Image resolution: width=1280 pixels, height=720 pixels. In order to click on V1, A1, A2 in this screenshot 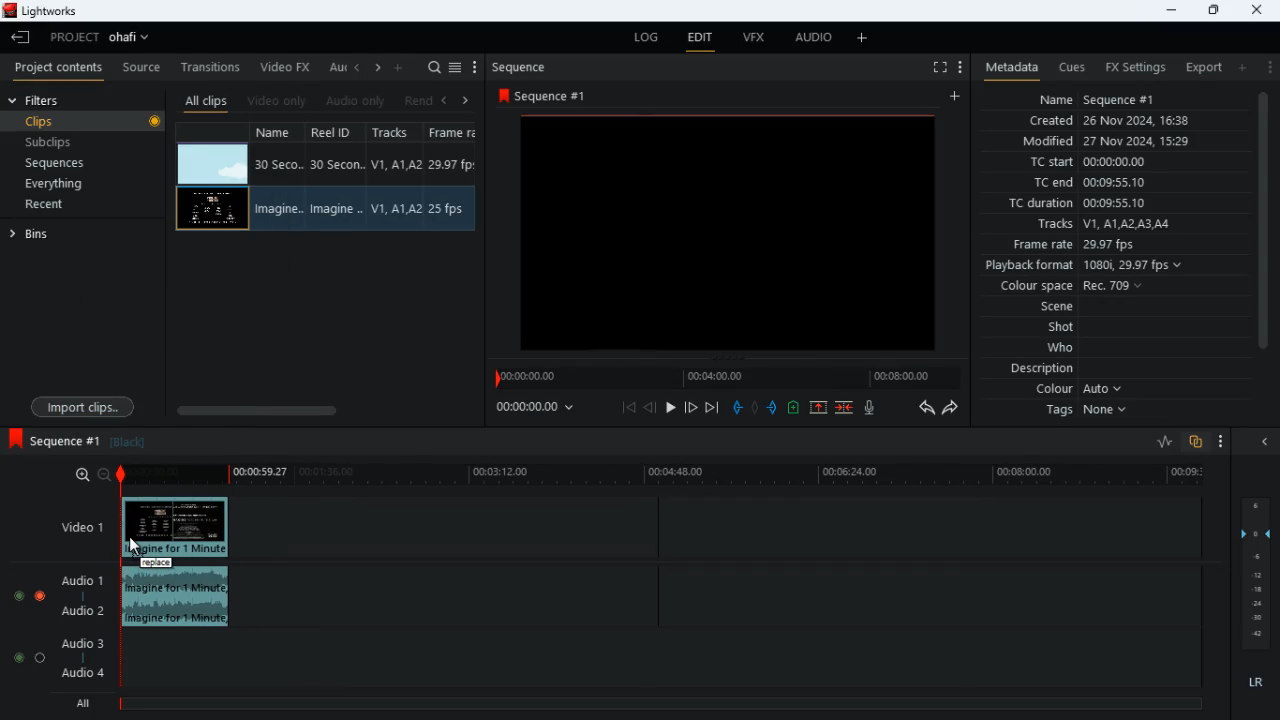, I will do `click(394, 164)`.